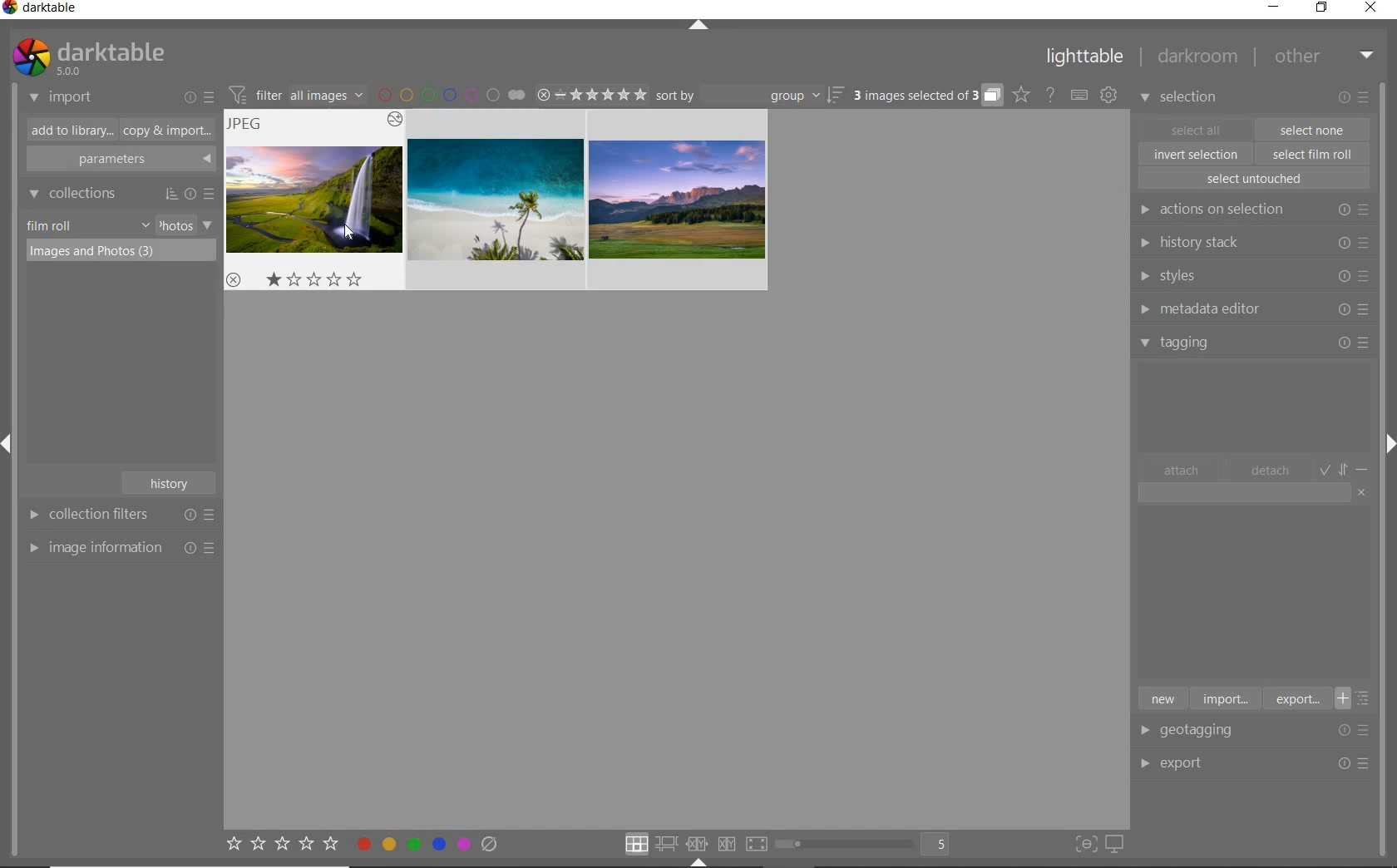 This screenshot has height=868, width=1397. What do you see at coordinates (1196, 128) in the screenshot?
I see `select all` at bounding box center [1196, 128].